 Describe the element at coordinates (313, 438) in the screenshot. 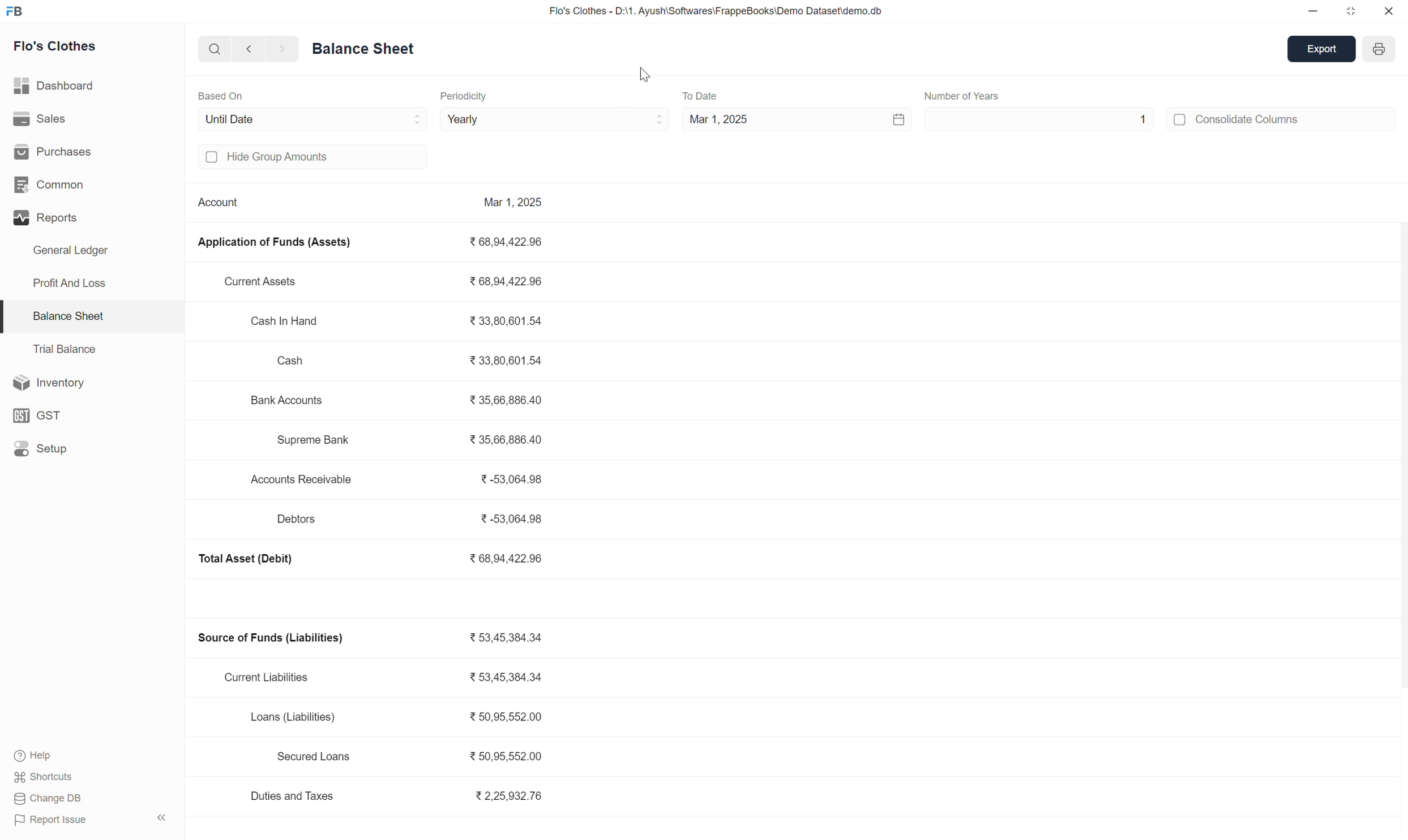

I see `Supreme Bank` at that location.